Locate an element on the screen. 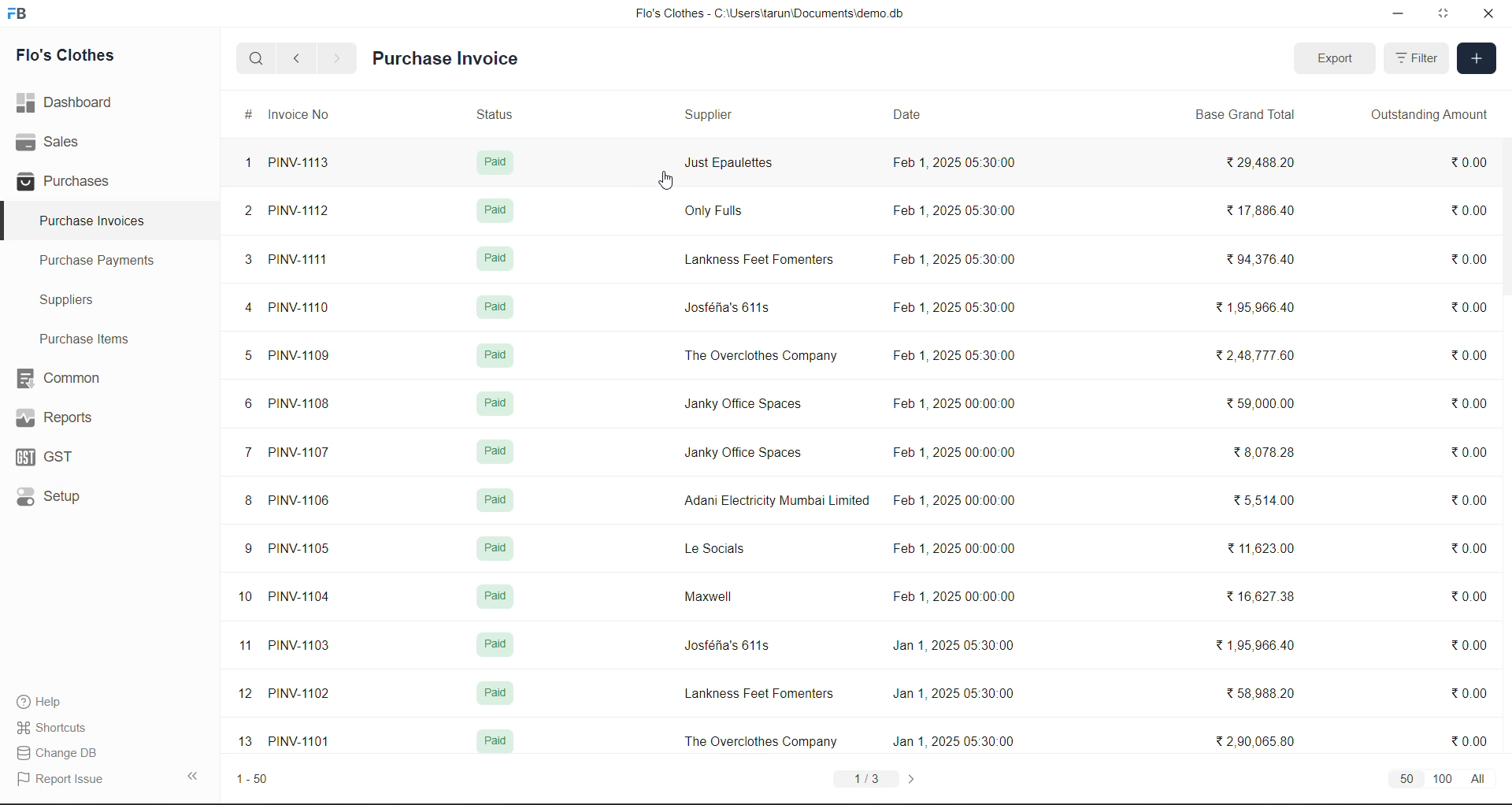  ₹0.00 is located at coordinates (1462, 312).